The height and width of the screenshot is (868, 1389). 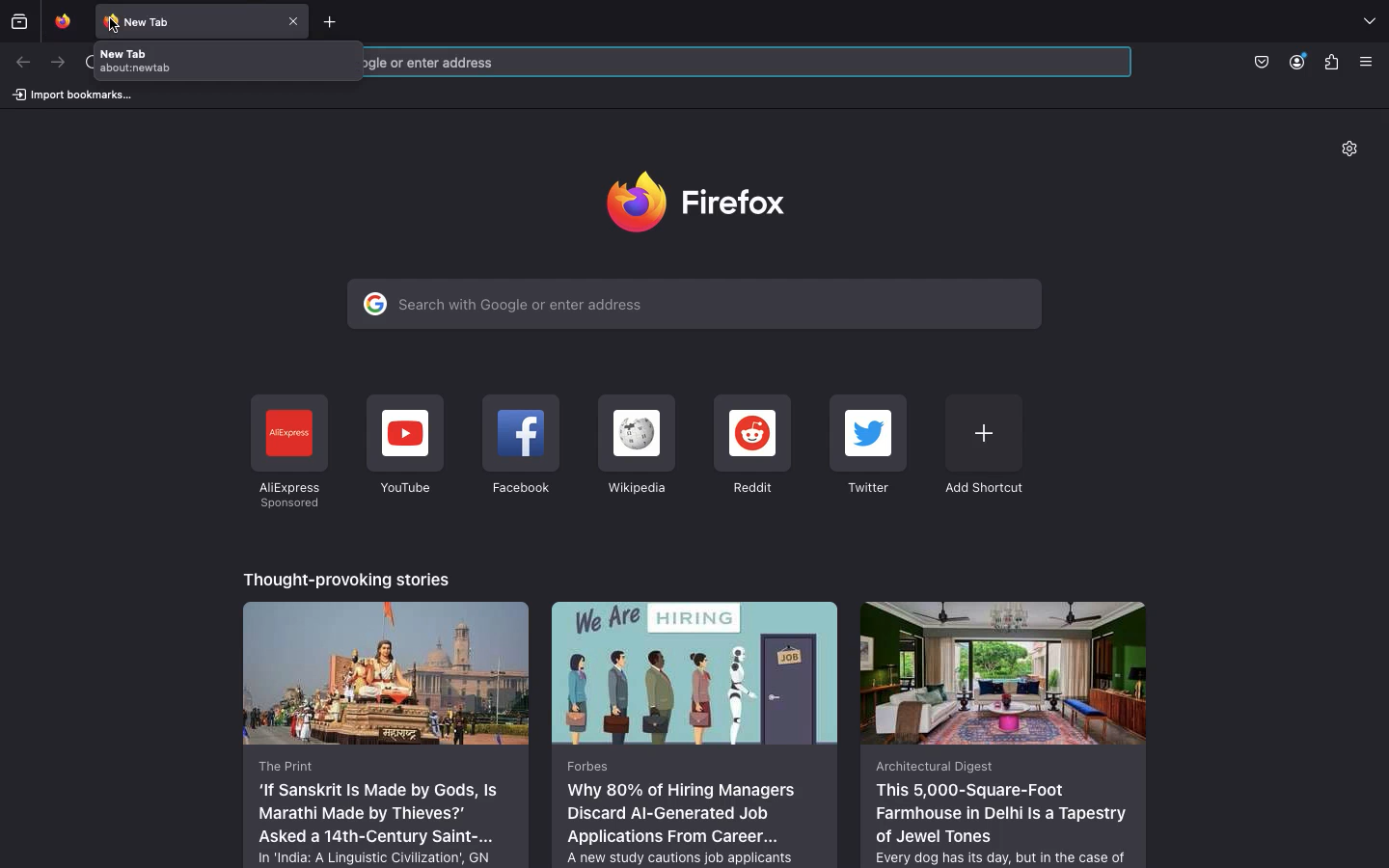 I want to click on Twitter, so click(x=871, y=447).